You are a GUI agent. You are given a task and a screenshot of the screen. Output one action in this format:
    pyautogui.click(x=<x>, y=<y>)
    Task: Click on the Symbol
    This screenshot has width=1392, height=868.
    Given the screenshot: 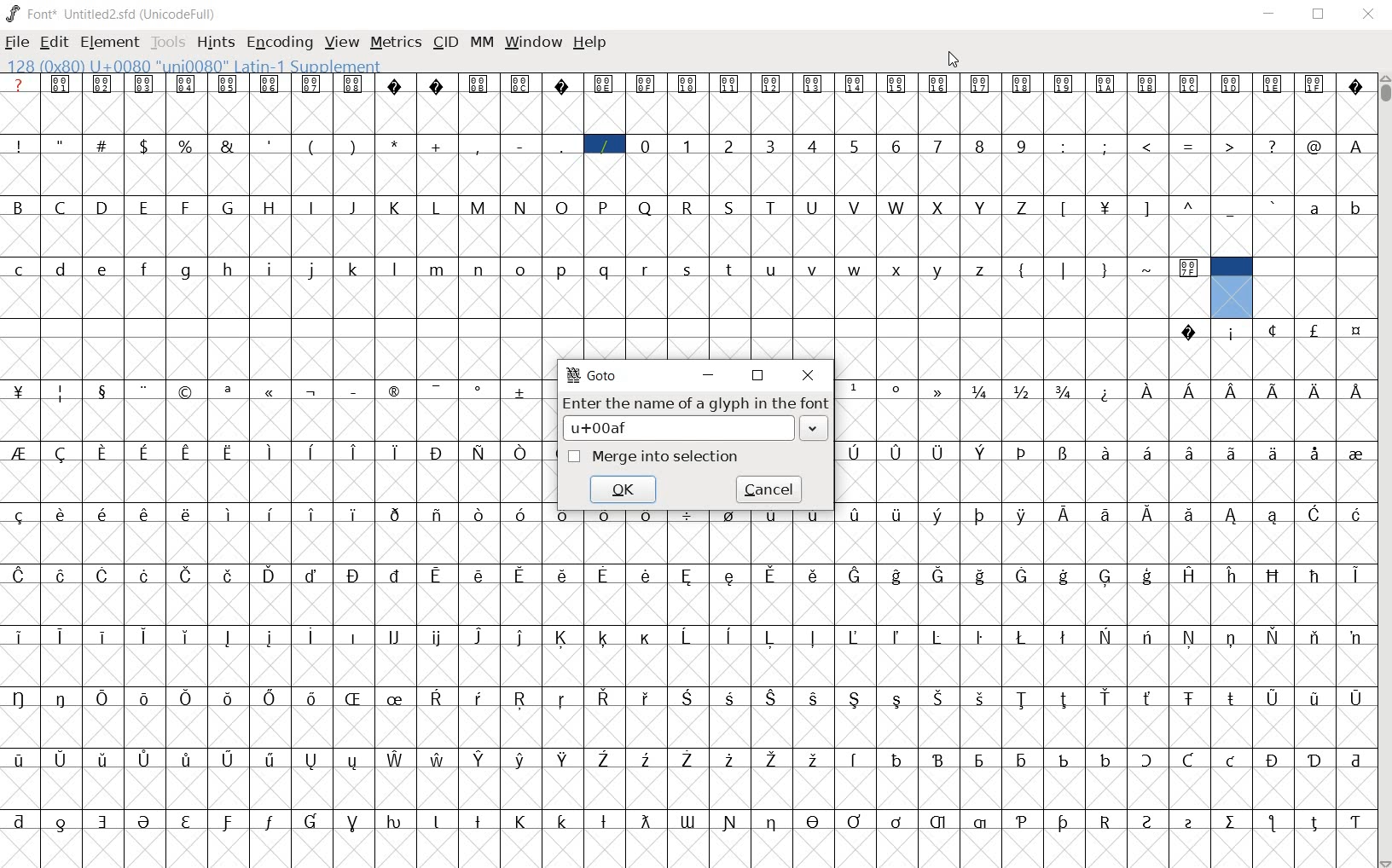 What is the action you would take?
    pyautogui.click(x=438, y=512)
    